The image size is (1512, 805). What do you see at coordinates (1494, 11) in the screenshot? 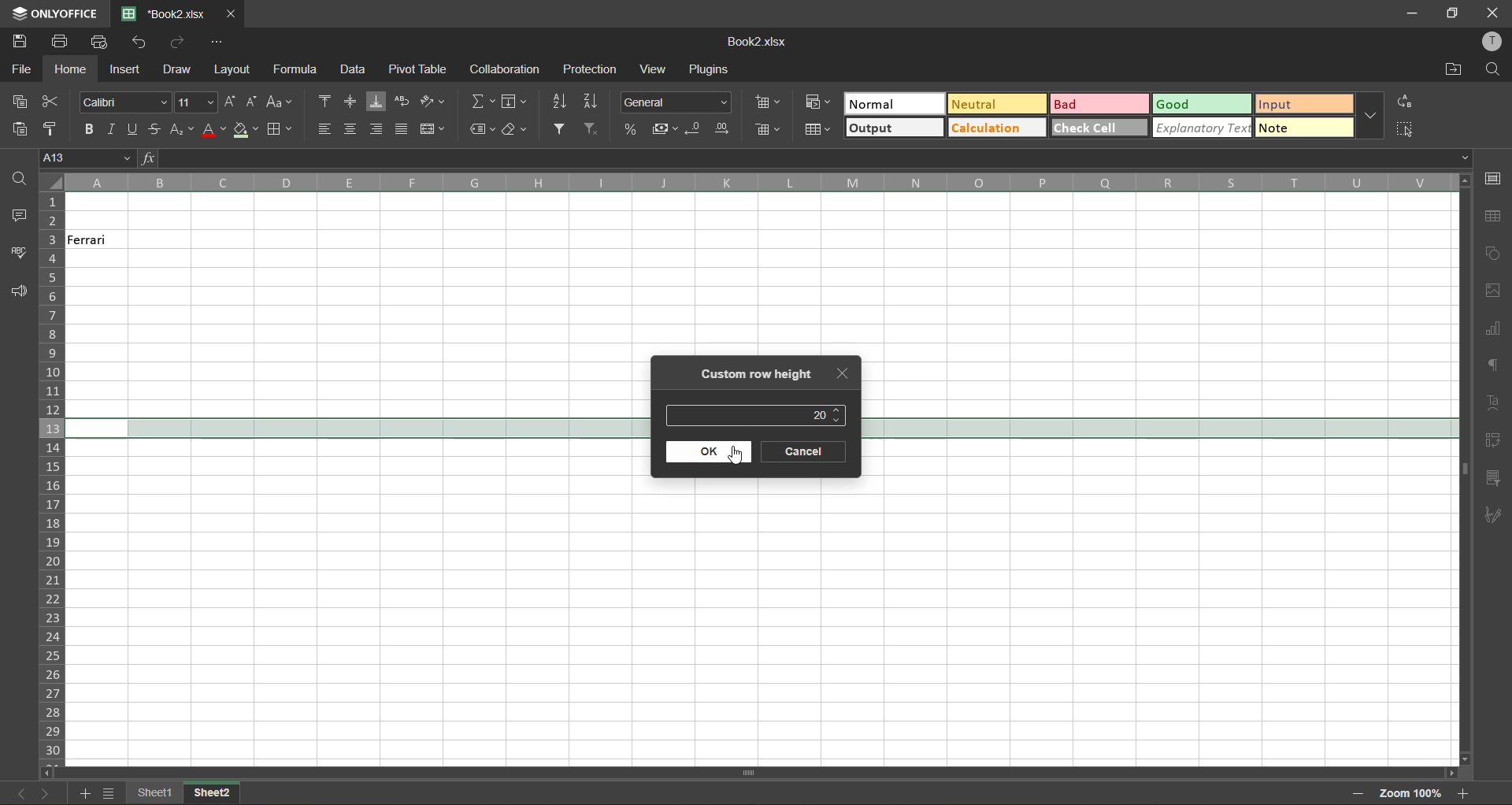
I see `close` at bounding box center [1494, 11].